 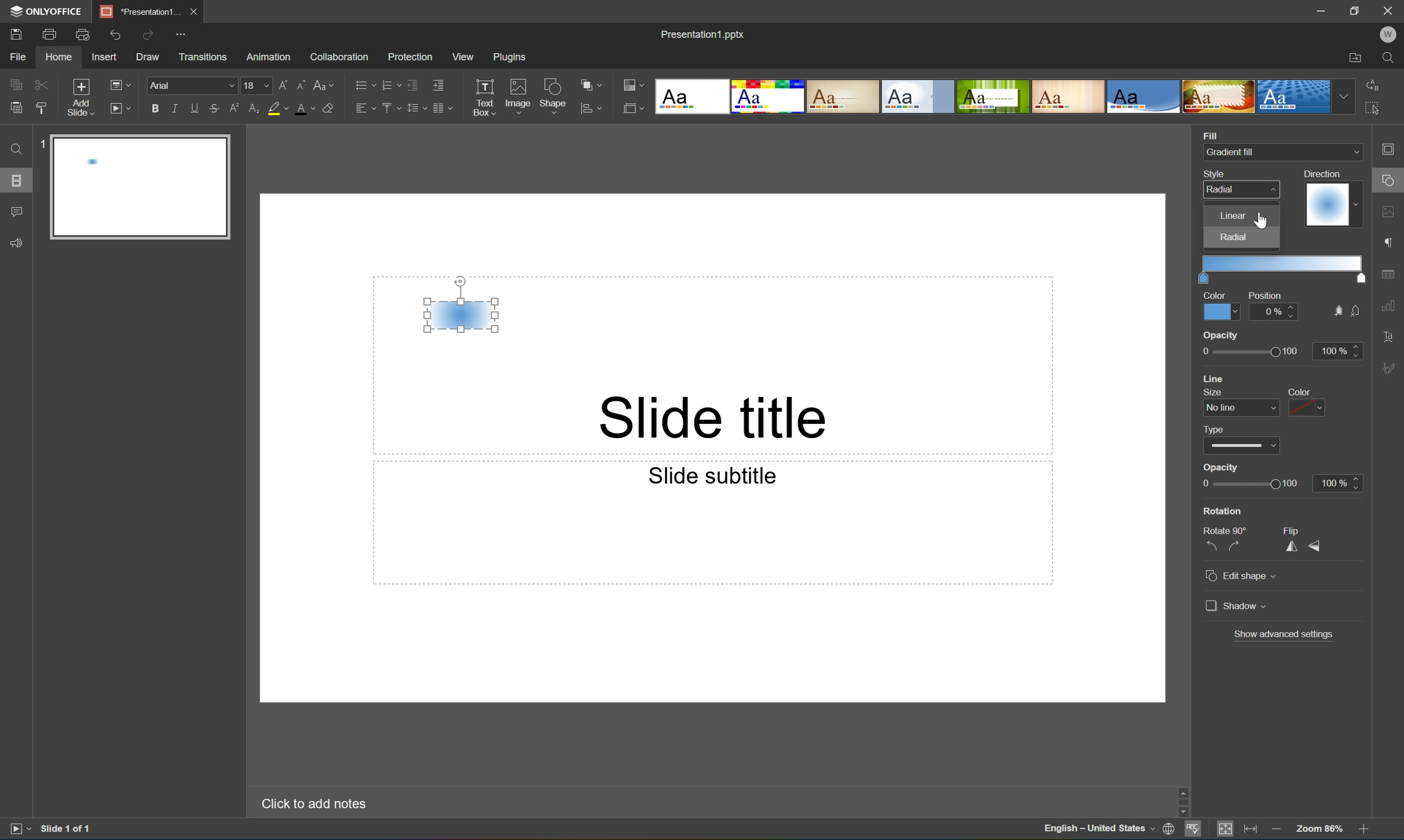 What do you see at coordinates (119, 107) in the screenshot?
I see `Start slideshow` at bounding box center [119, 107].